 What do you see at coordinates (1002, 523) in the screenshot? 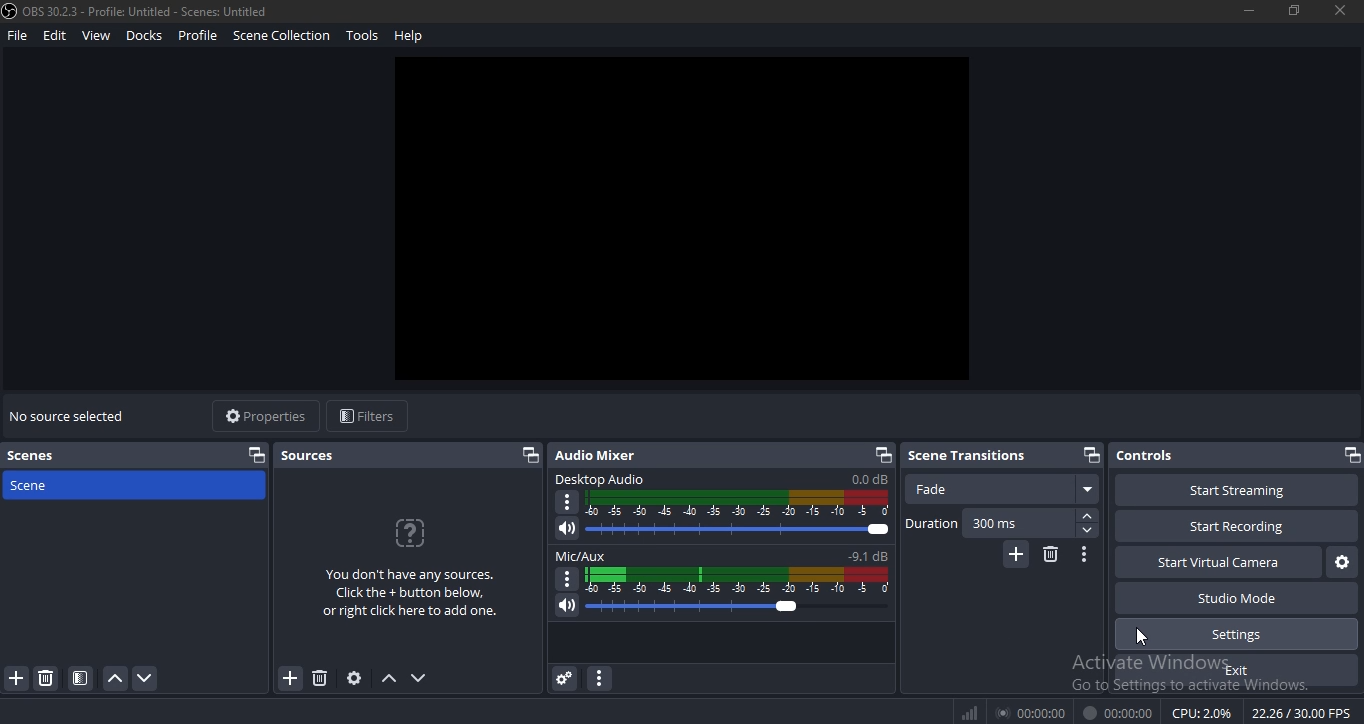
I see `duration` at bounding box center [1002, 523].